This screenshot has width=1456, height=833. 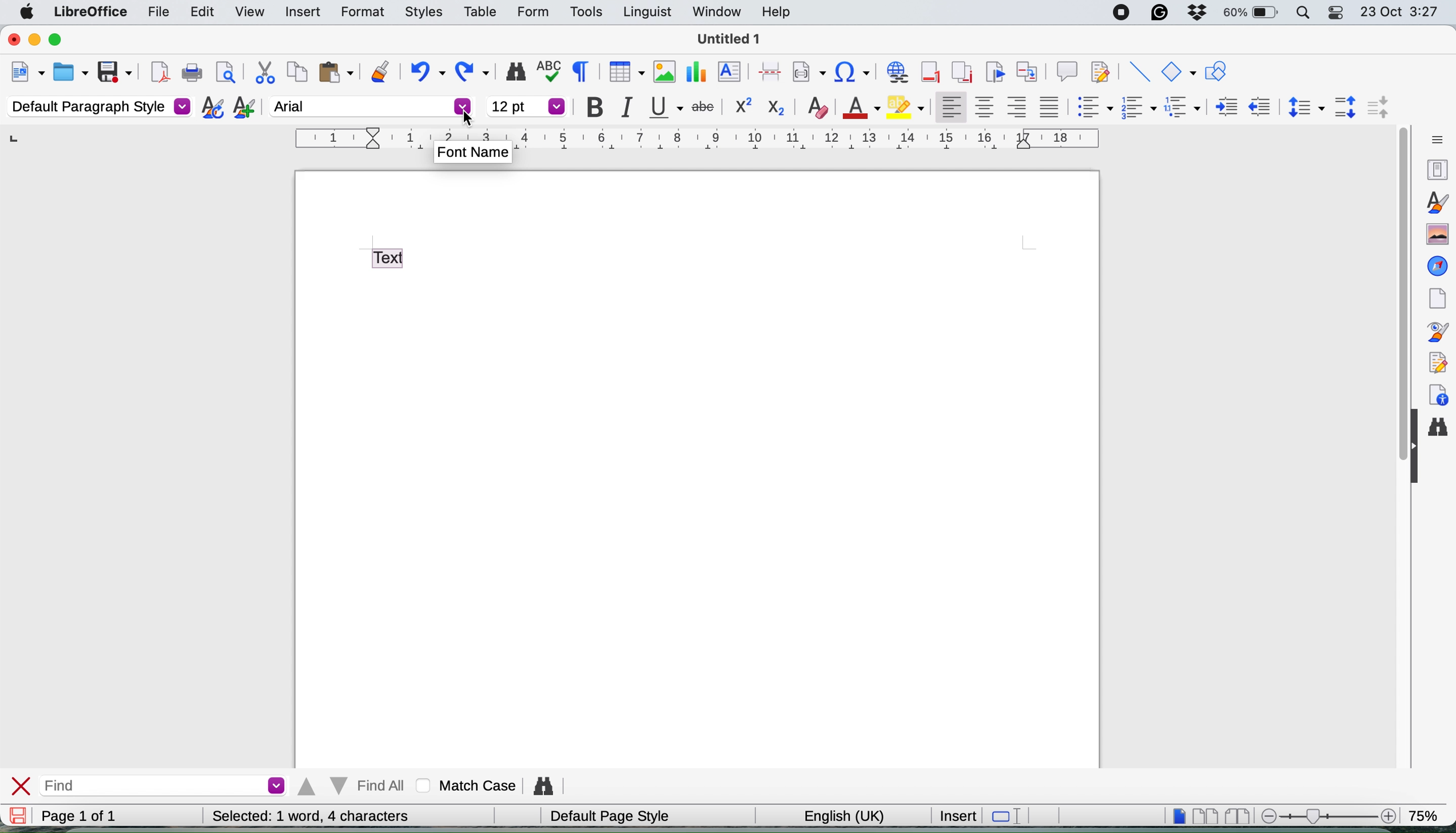 What do you see at coordinates (1441, 332) in the screenshot?
I see `style inspector` at bounding box center [1441, 332].